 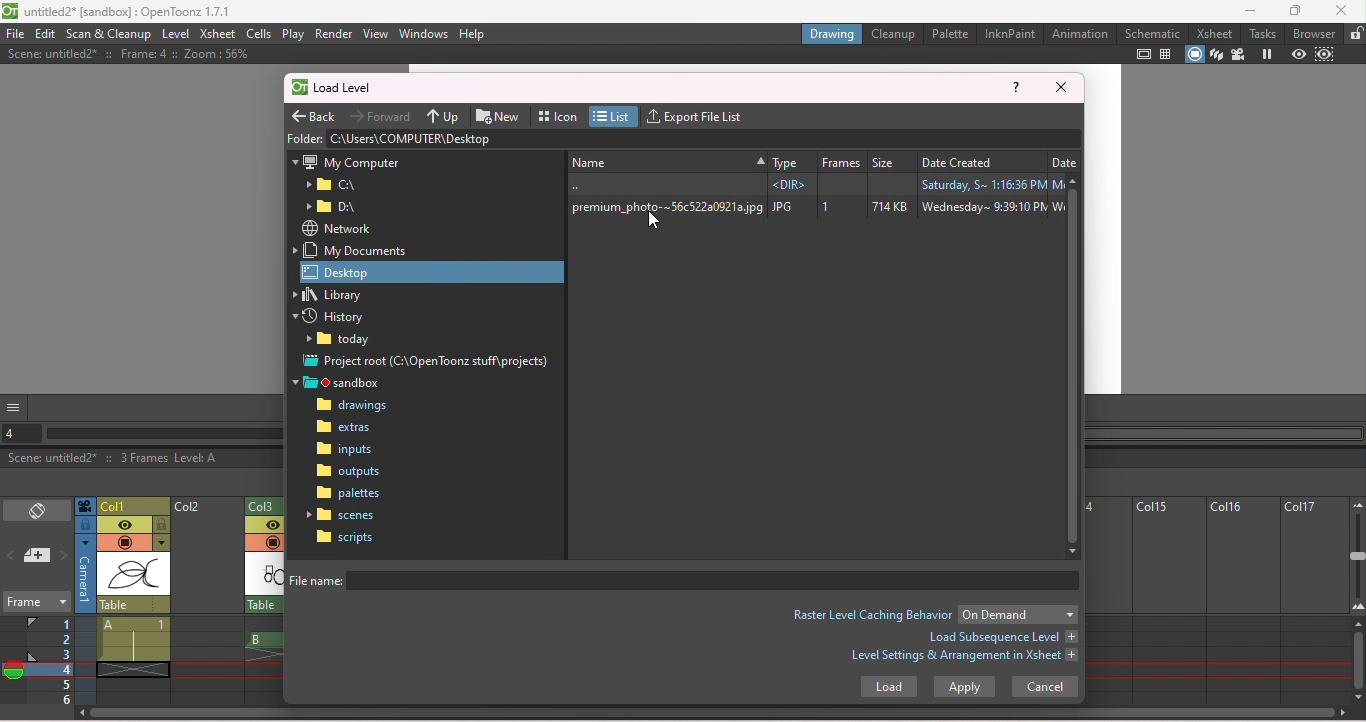 What do you see at coordinates (965, 658) in the screenshot?
I see `Level settings & Arrangement in Xsheet` at bounding box center [965, 658].